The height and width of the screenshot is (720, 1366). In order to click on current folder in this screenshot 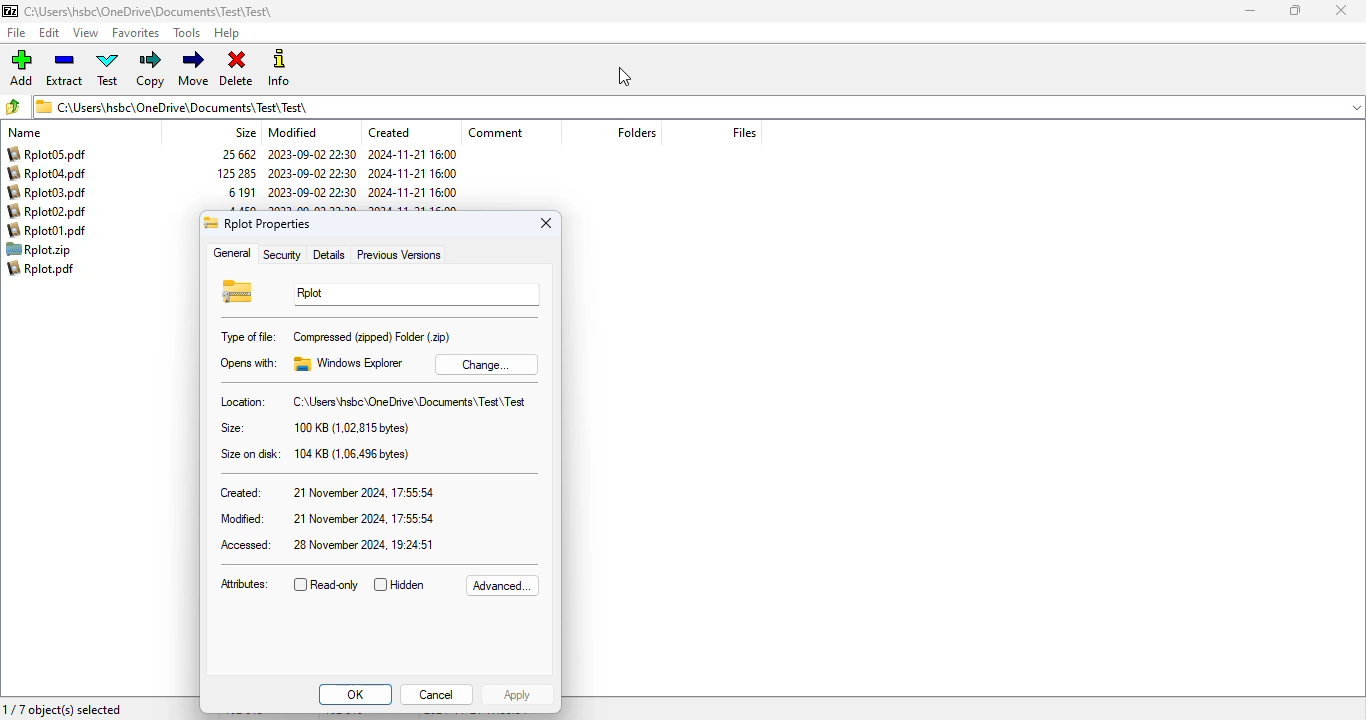, I will do `click(149, 11)`.